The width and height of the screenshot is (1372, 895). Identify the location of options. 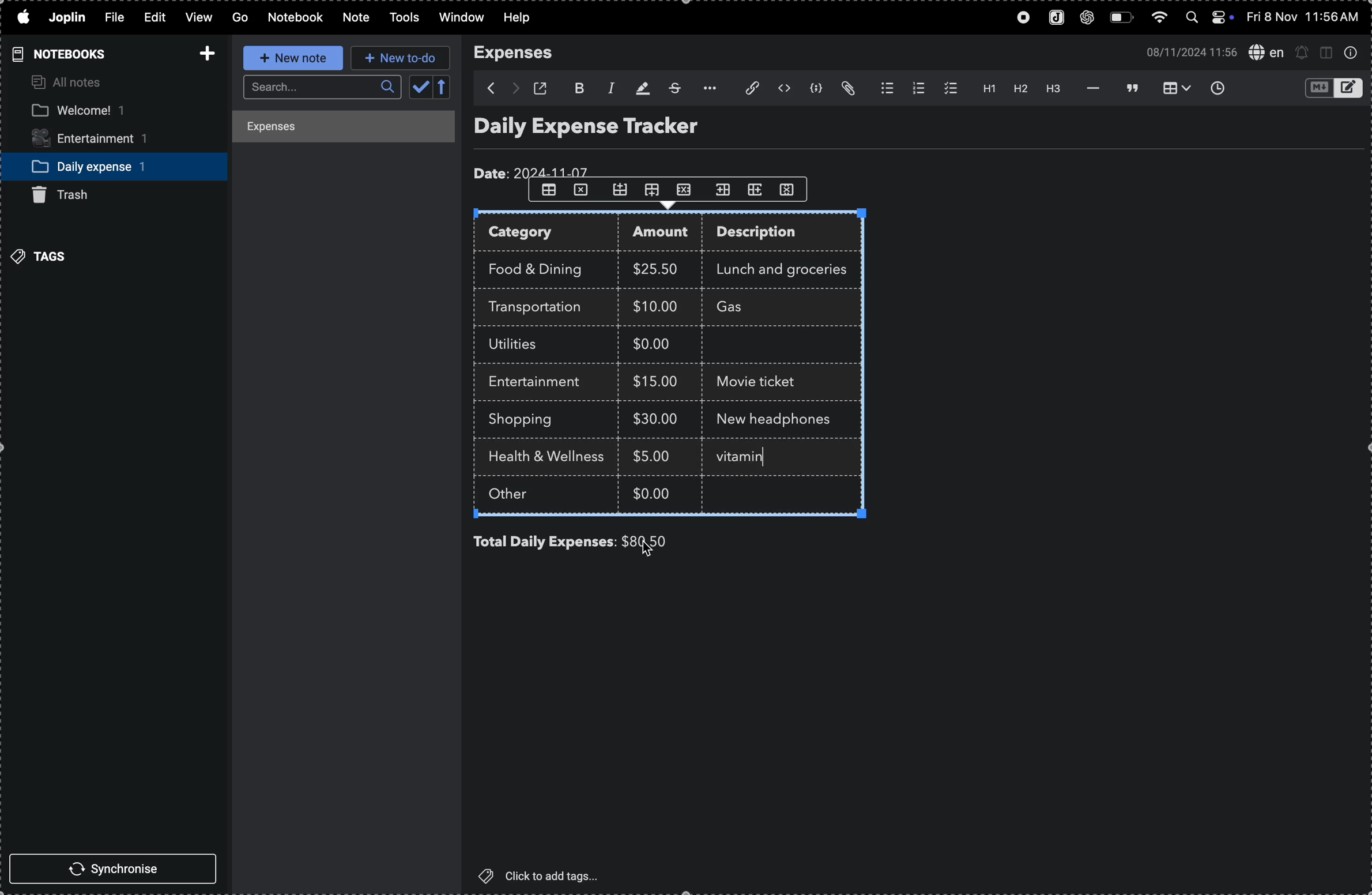
(706, 88).